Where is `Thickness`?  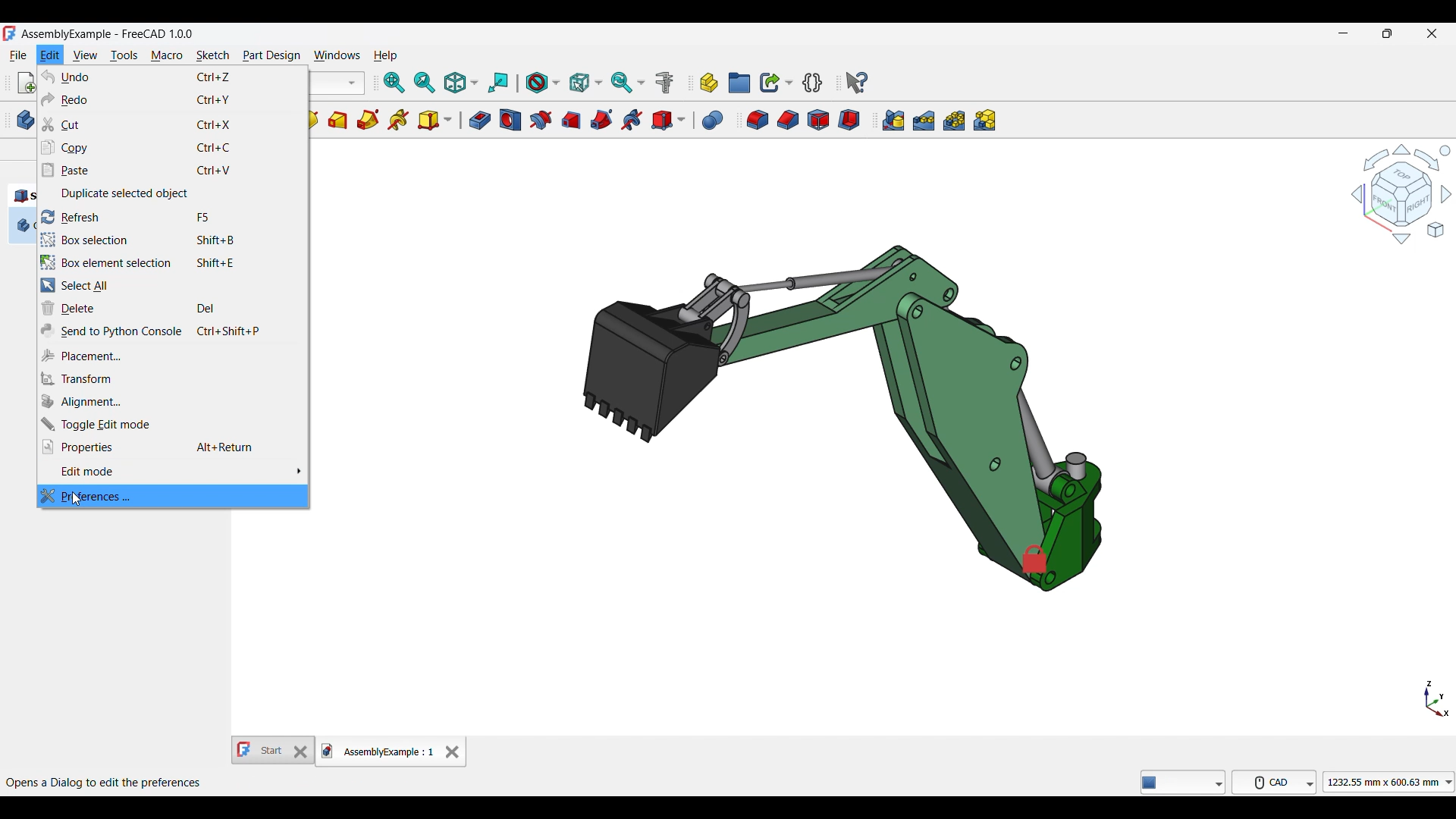 Thickness is located at coordinates (849, 120).